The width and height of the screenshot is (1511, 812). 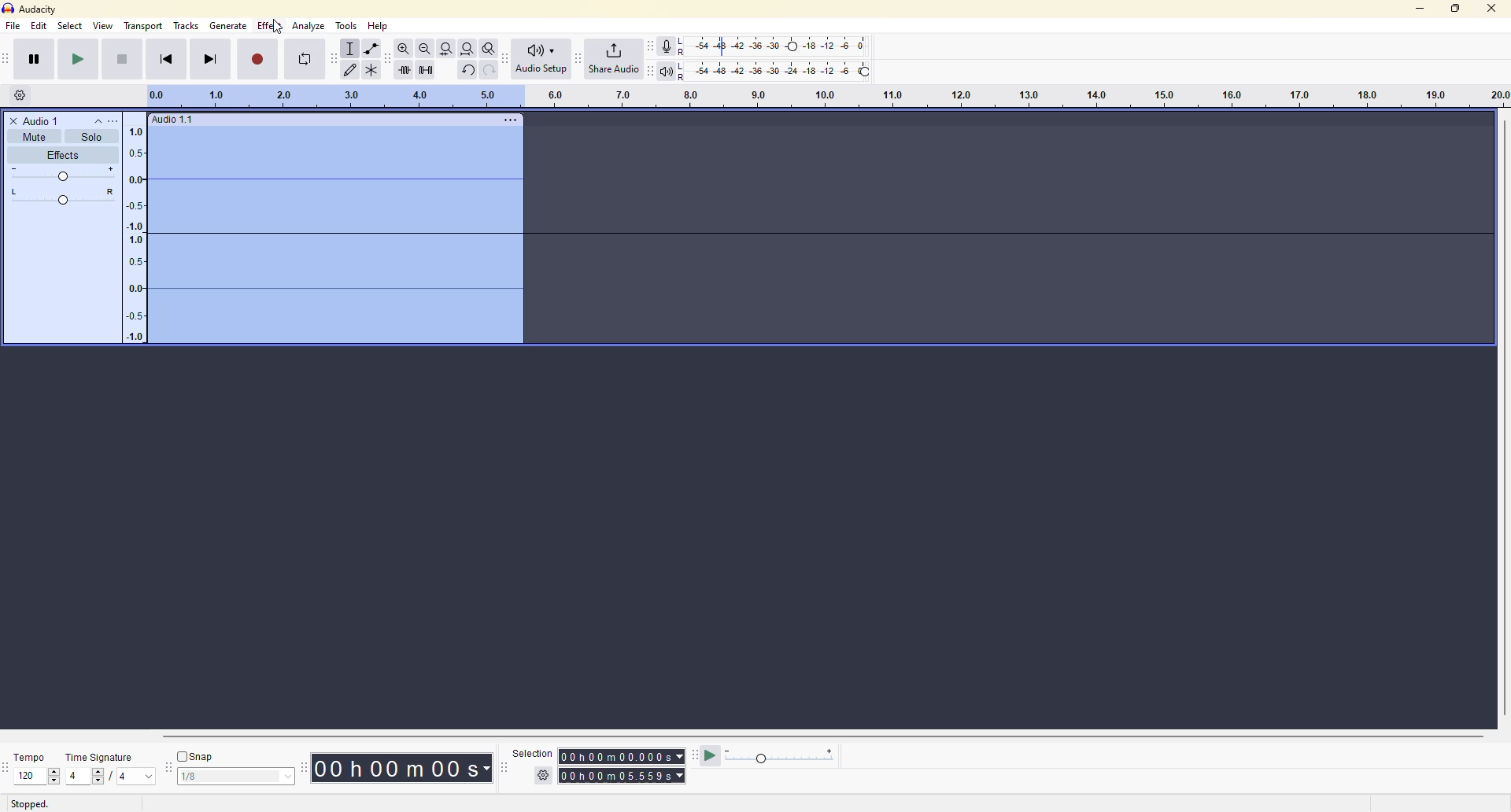 What do you see at coordinates (33, 137) in the screenshot?
I see `mute` at bounding box center [33, 137].